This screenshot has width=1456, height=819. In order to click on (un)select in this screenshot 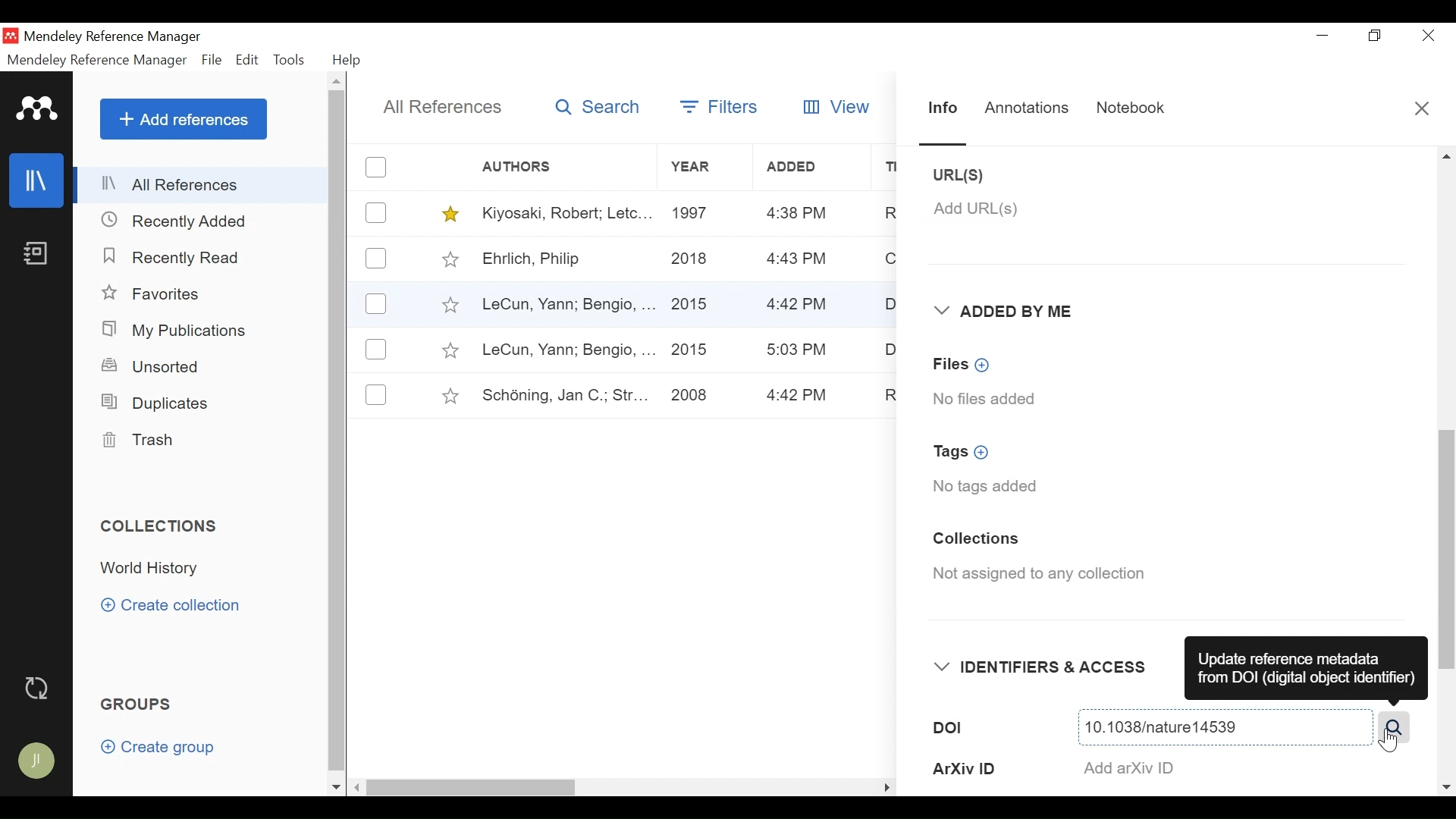, I will do `click(375, 258)`.